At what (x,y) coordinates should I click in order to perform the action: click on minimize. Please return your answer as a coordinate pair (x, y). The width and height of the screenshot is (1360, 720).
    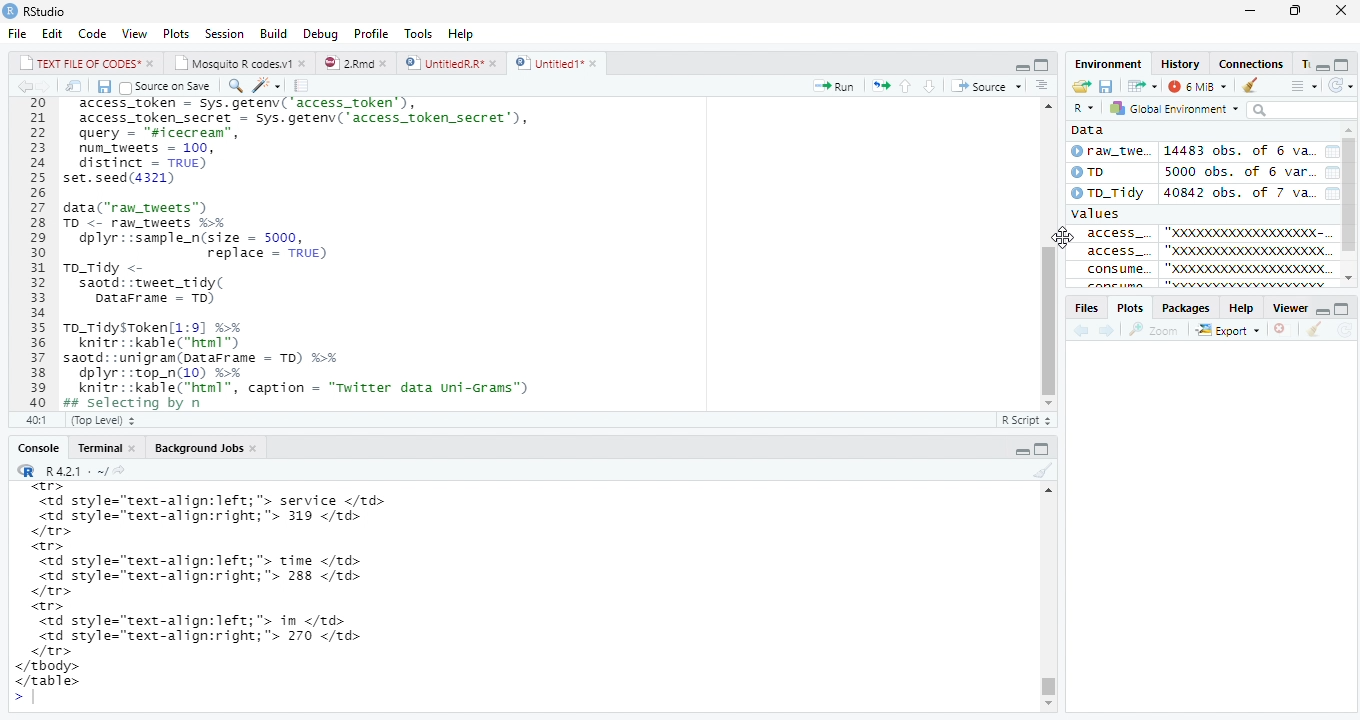
    Looking at the image, I should click on (1252, 11).